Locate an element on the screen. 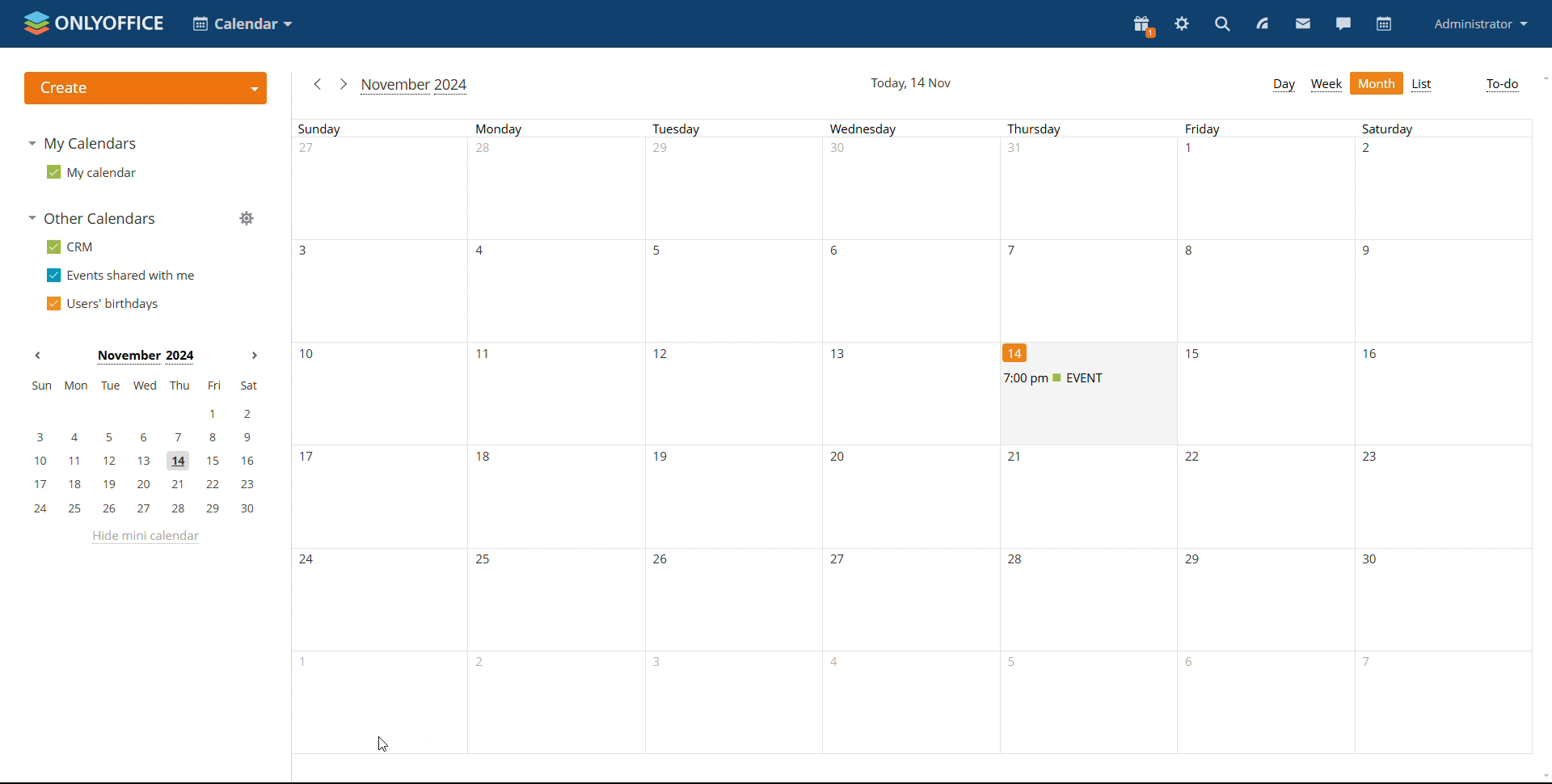 The image size is (1552, 784). days of the month is located at coordinates (1089, 602).